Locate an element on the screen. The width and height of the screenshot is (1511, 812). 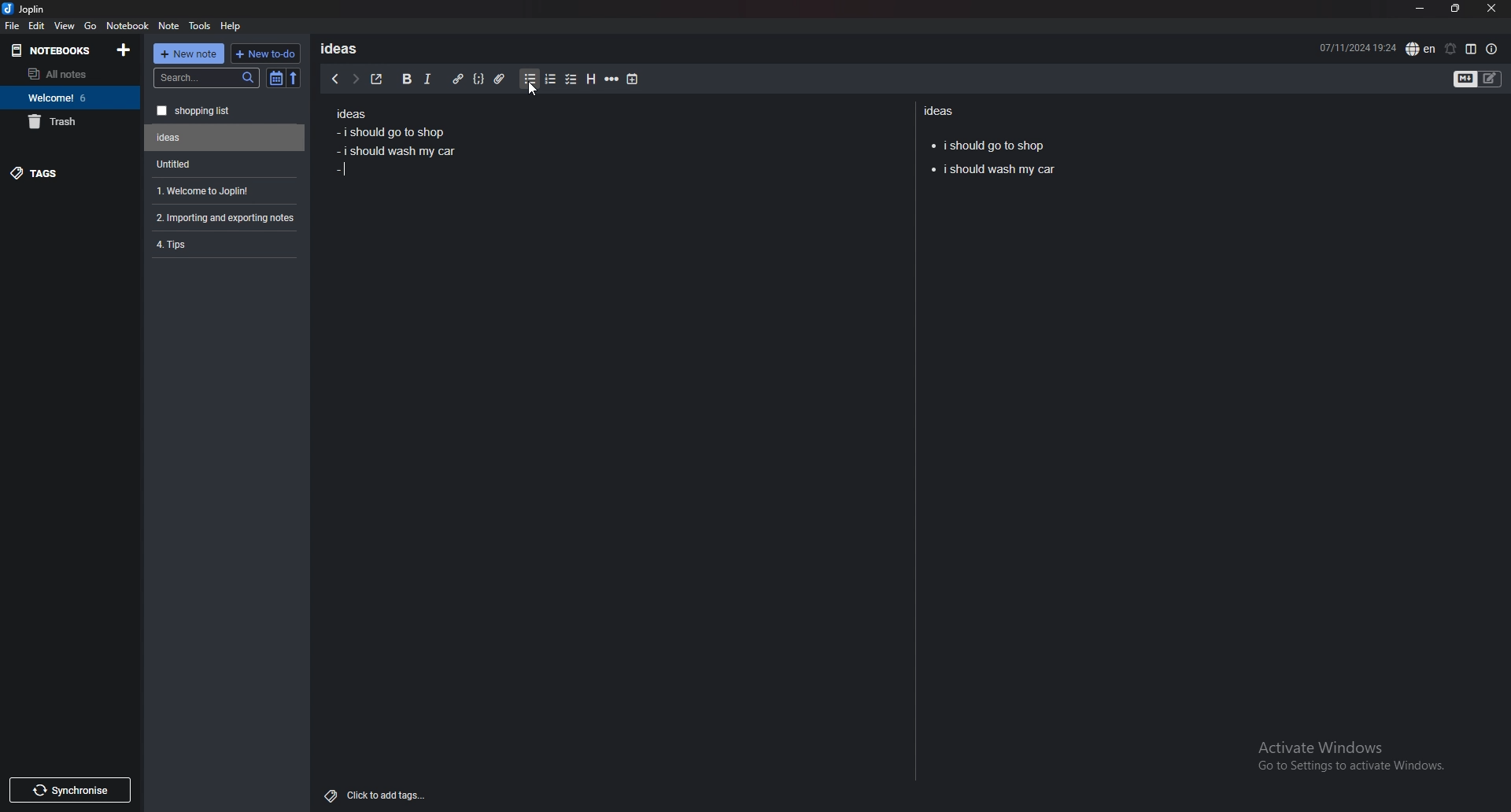
next is located at coordinates (355, 79).